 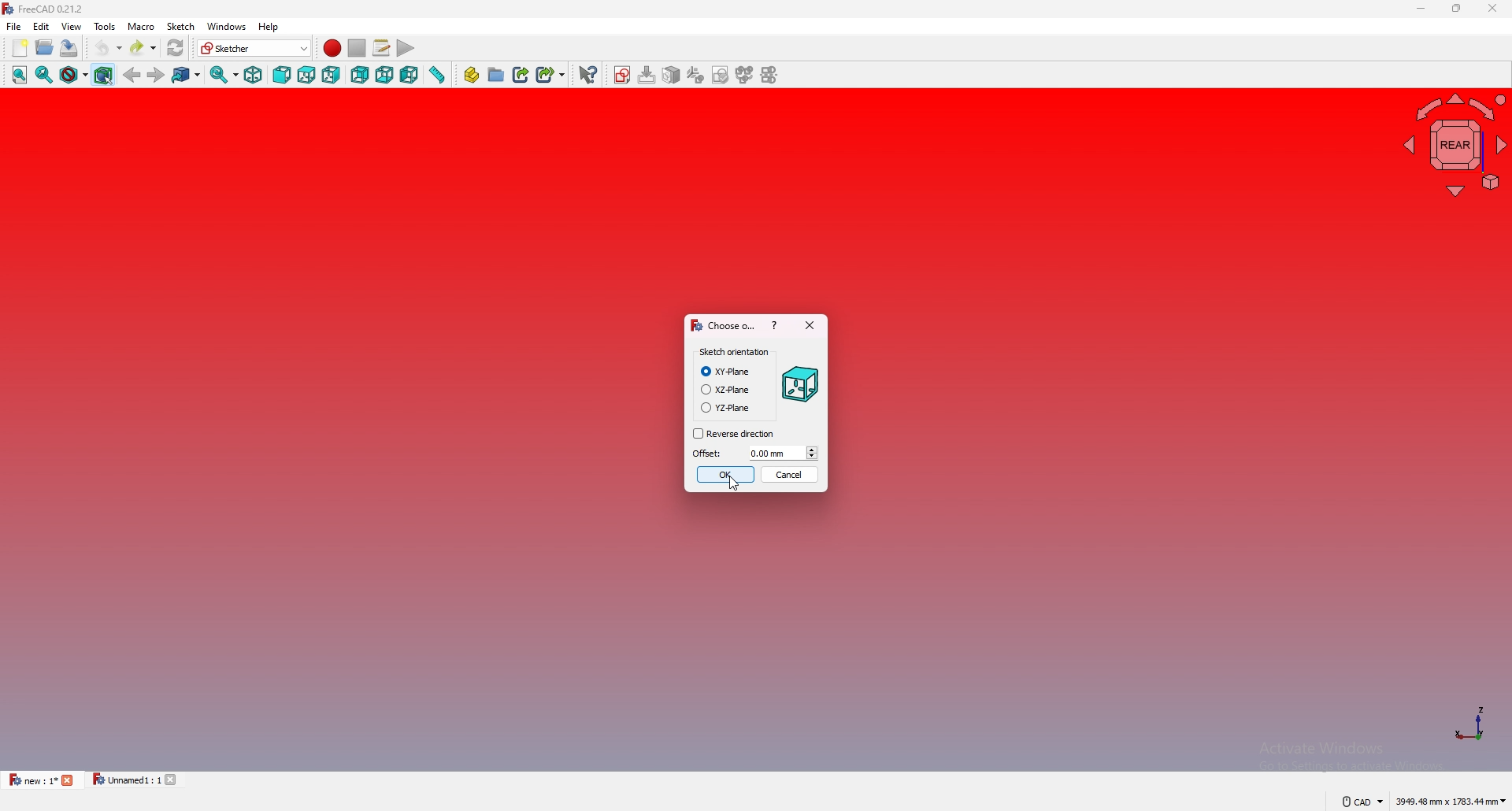 I want to click on draw style, so click(x=73, y=74).